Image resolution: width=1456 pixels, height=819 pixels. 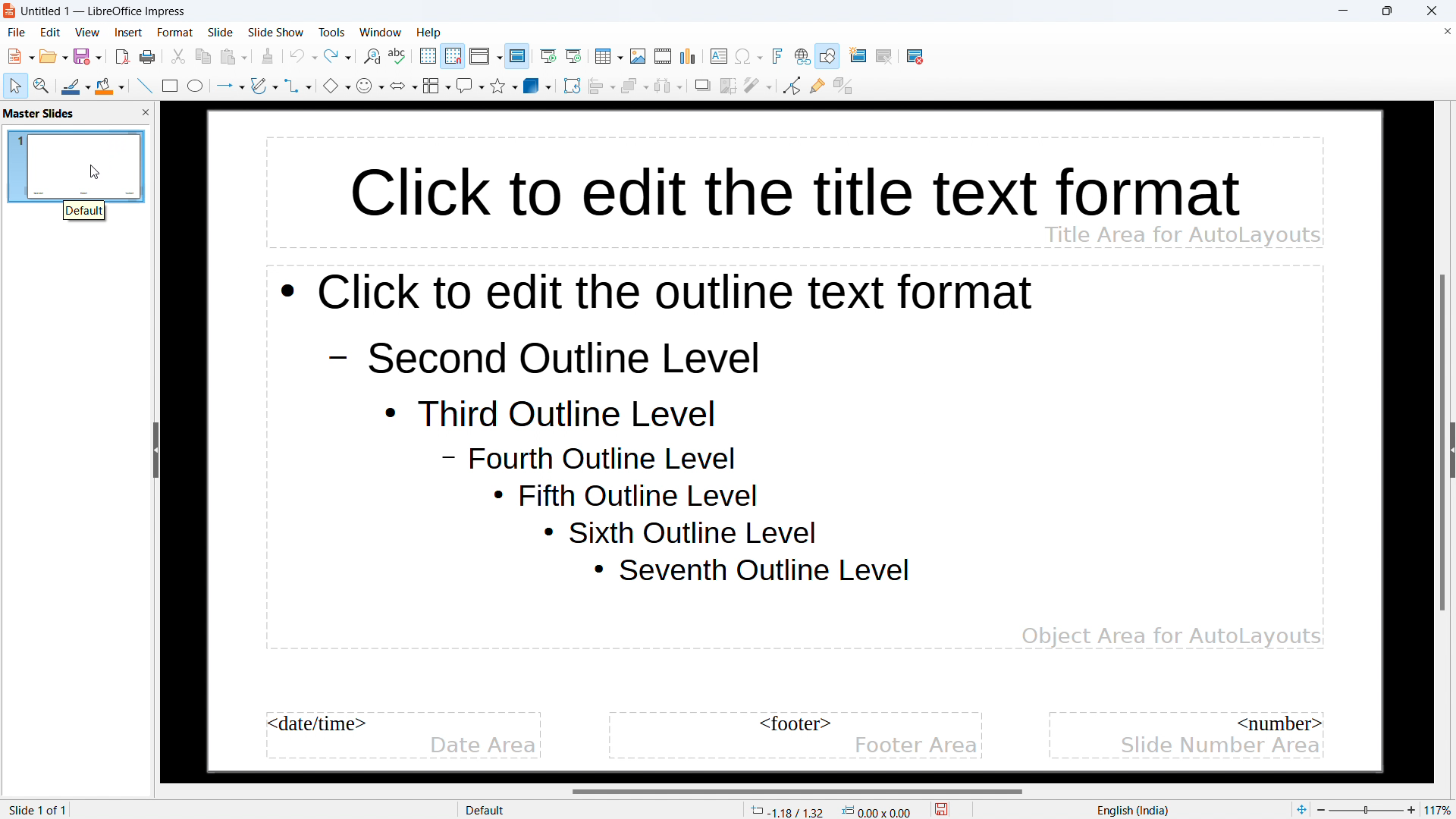 What do you see at coordinates (1171, 629) in the screenshot?
I see `Object Area for AutoLayouts` at bounding box center [1171, 629].